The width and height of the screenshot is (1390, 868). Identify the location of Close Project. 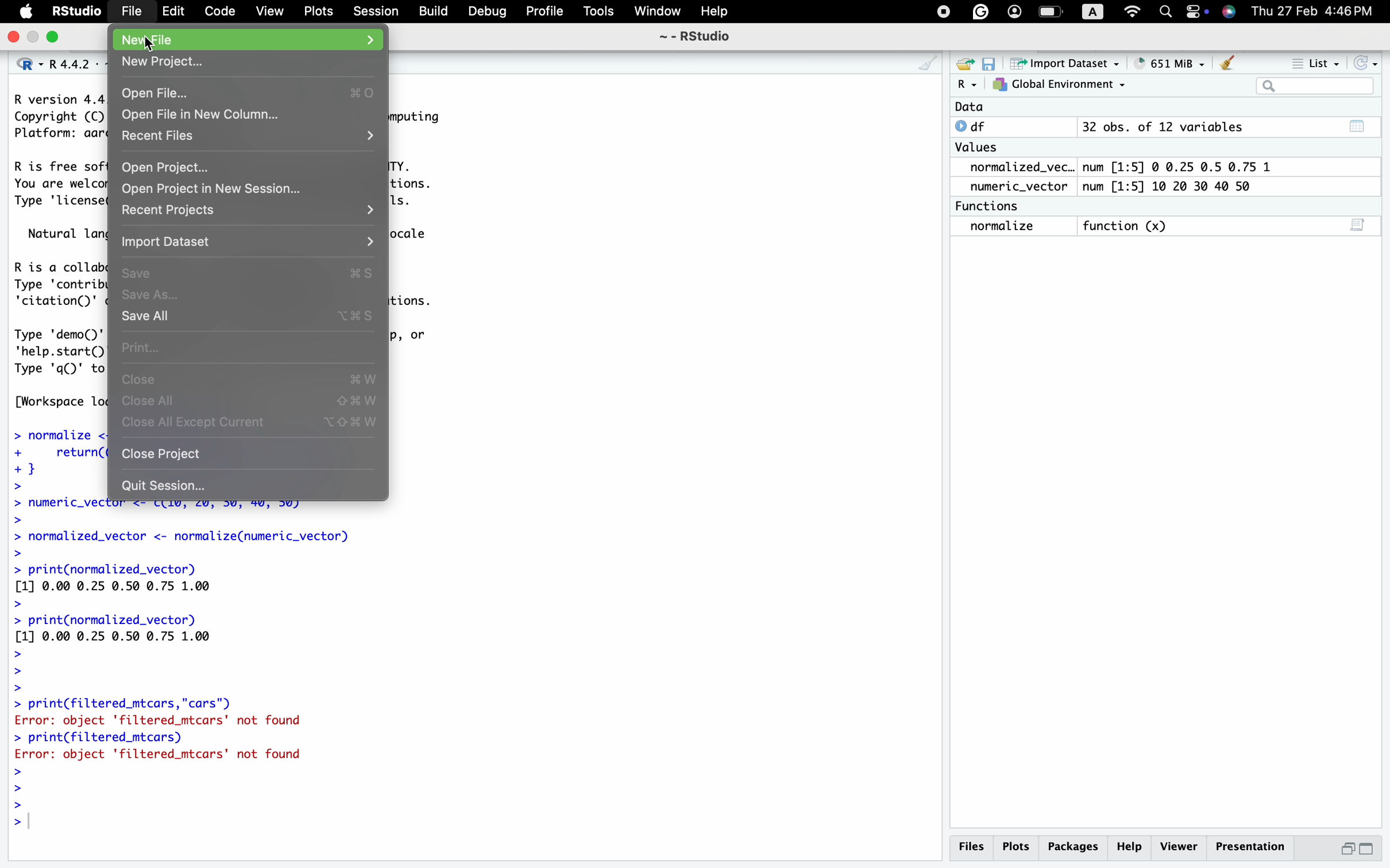
(168, 455).